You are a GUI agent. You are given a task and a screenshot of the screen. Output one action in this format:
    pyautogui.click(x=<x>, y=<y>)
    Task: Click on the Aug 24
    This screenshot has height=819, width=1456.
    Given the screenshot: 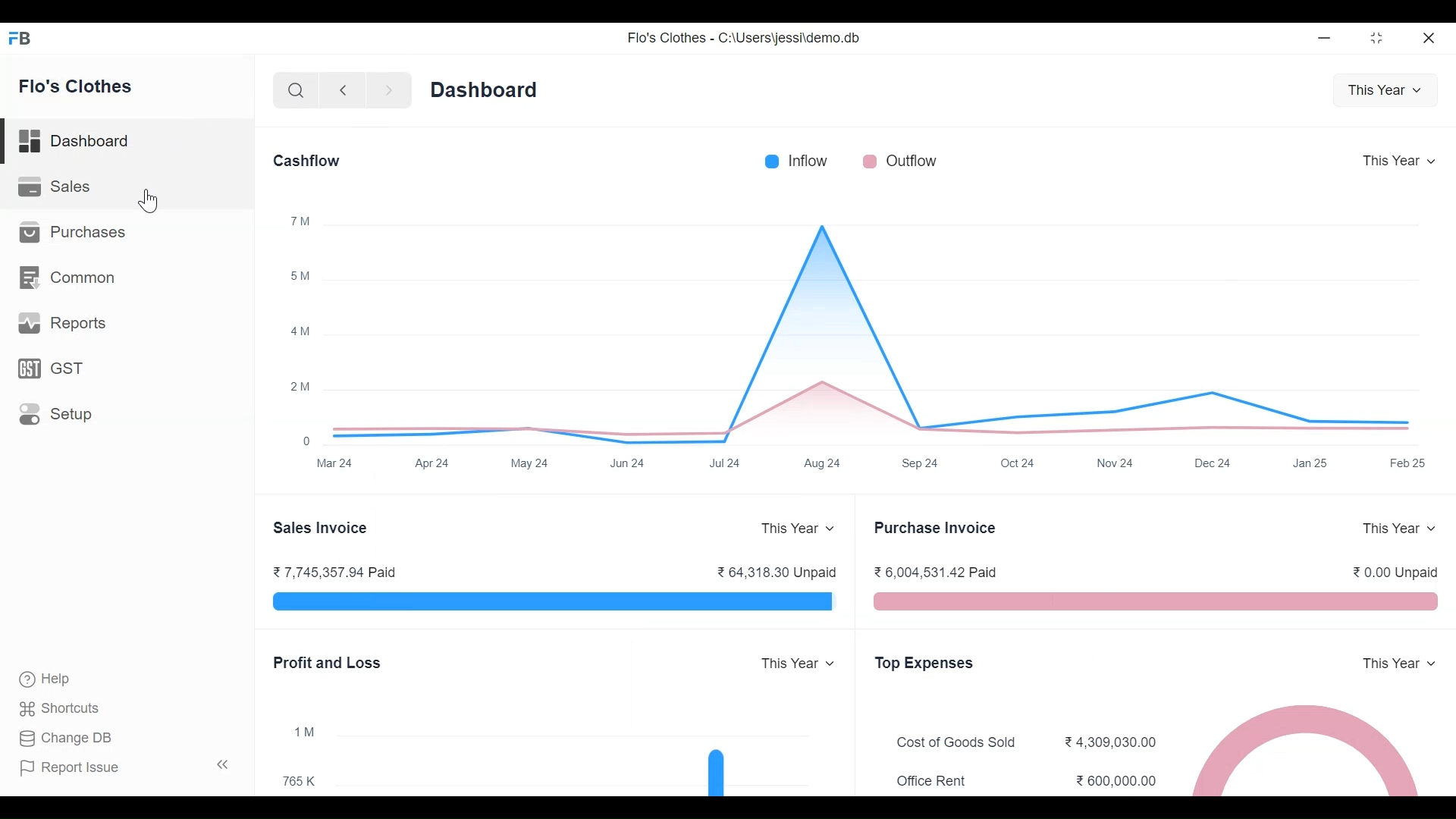 What is the action you would take?
    pyautogui.click(x=822, y=462)
    